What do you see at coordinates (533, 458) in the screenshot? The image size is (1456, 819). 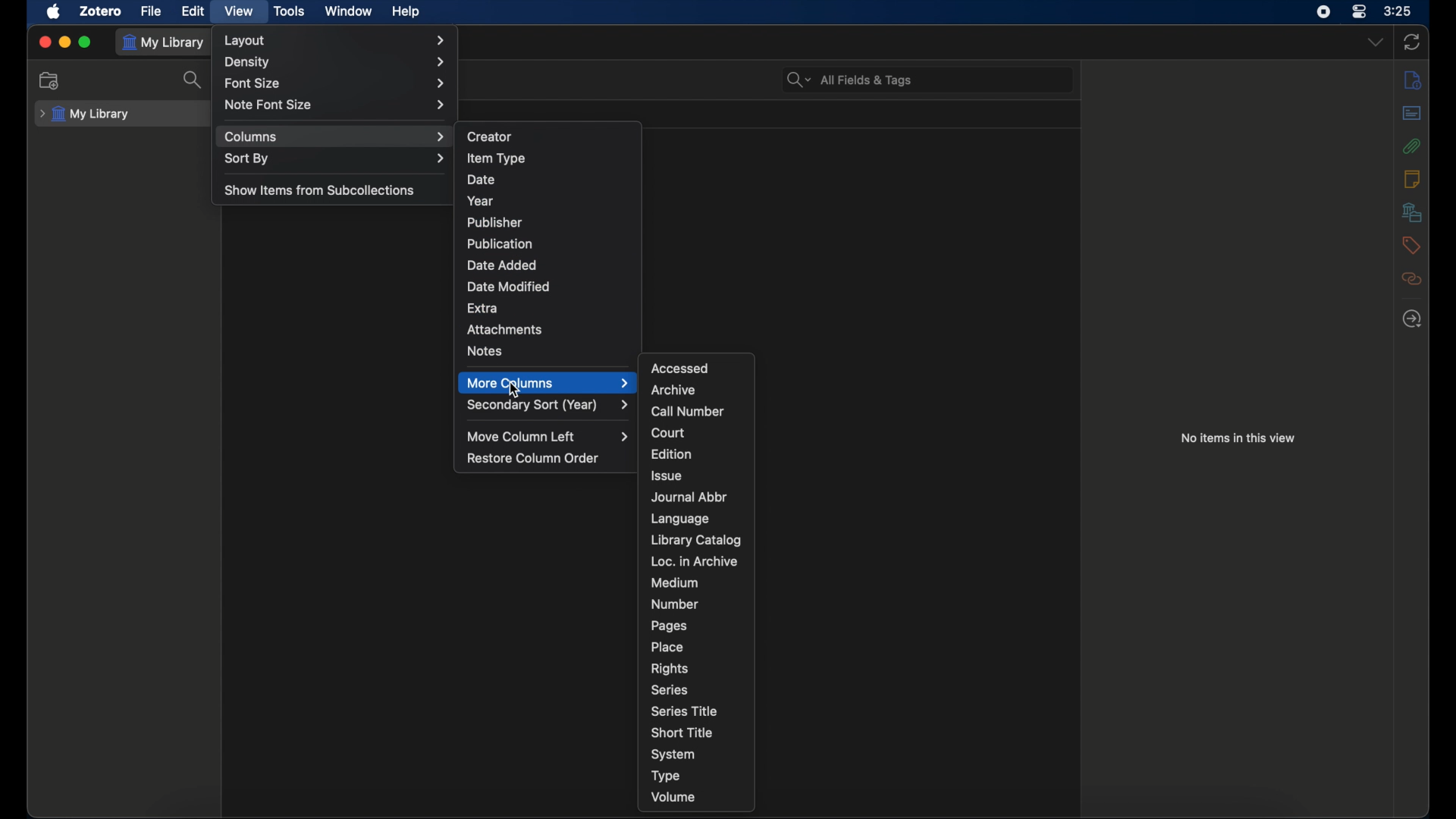 I see `restore column order` at bounding box center [533, 458].